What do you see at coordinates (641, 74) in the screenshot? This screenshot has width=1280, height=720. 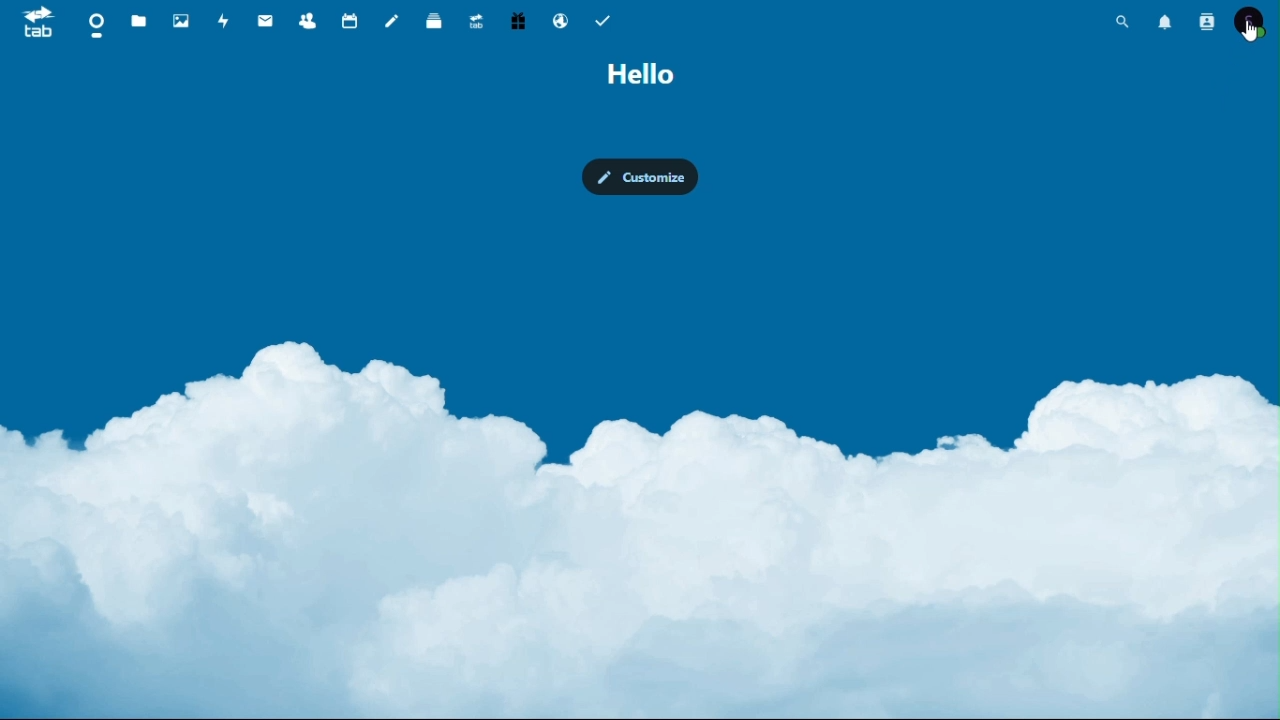 I see `Hello` at bounding box center [641, 74].